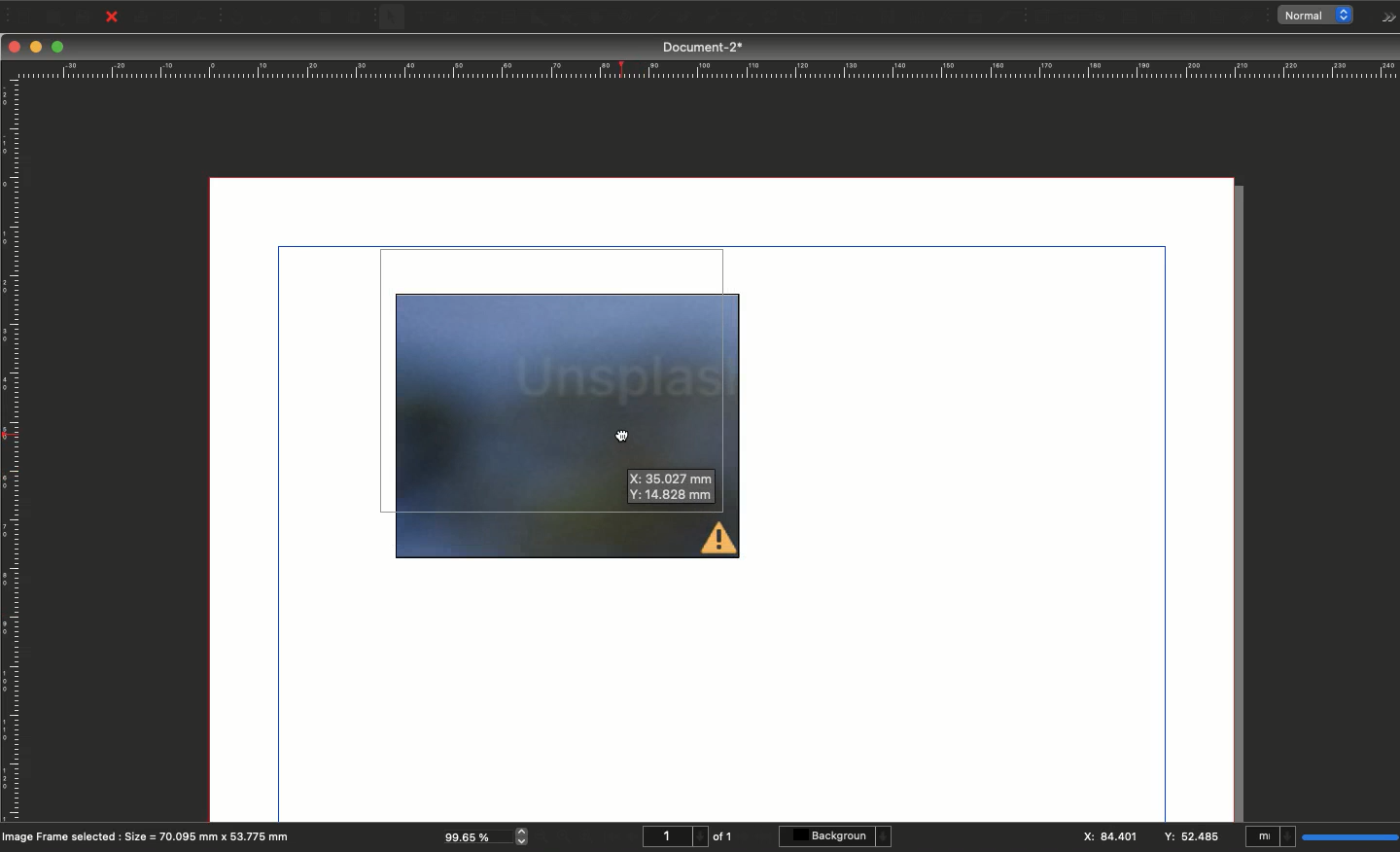  What do you see at coordinates (838, 836) in the screenshot?
I see `Background` at bounding box center [838, 836].